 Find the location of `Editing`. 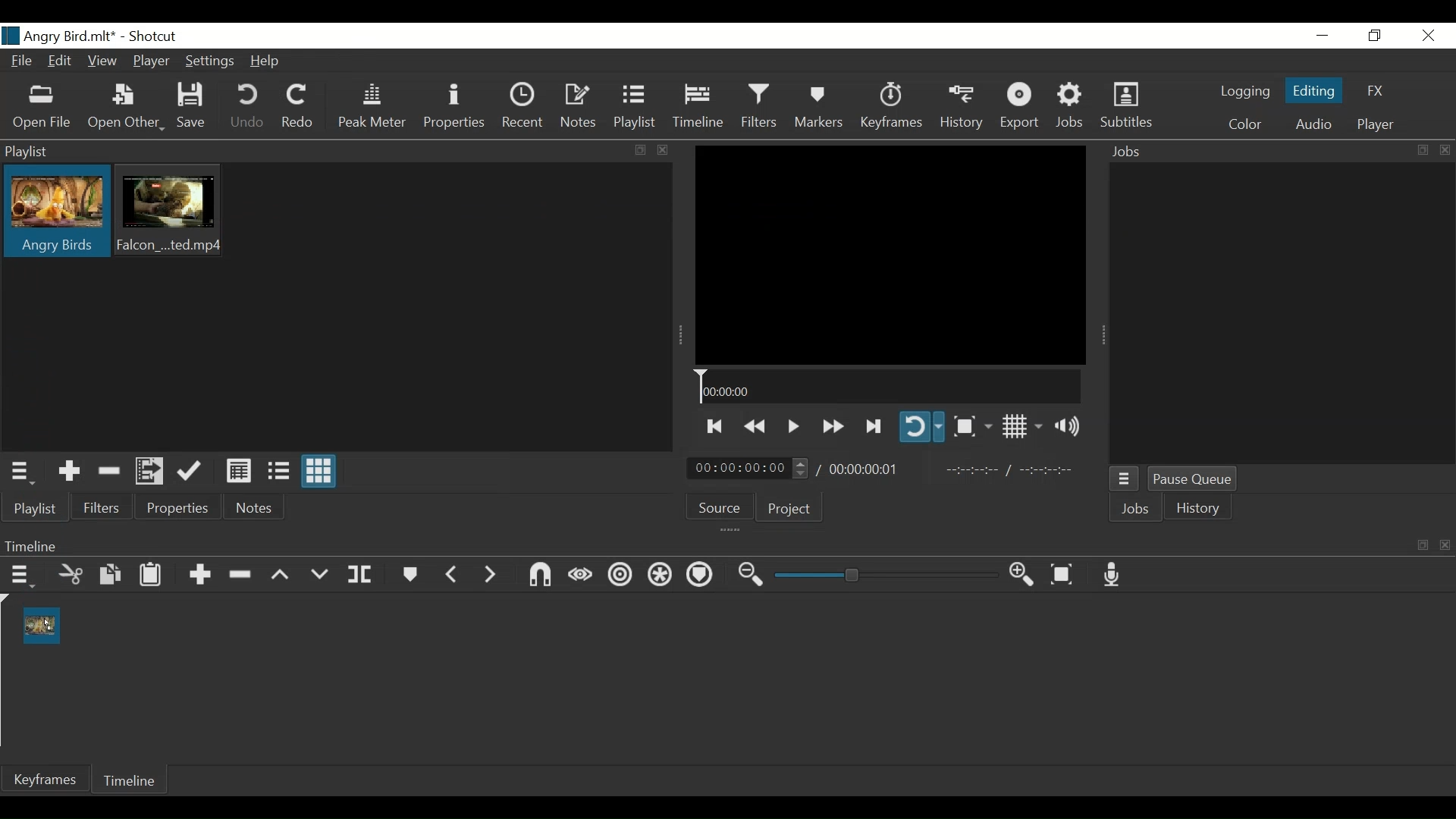

Editing is located at coordinates (1314, 93).